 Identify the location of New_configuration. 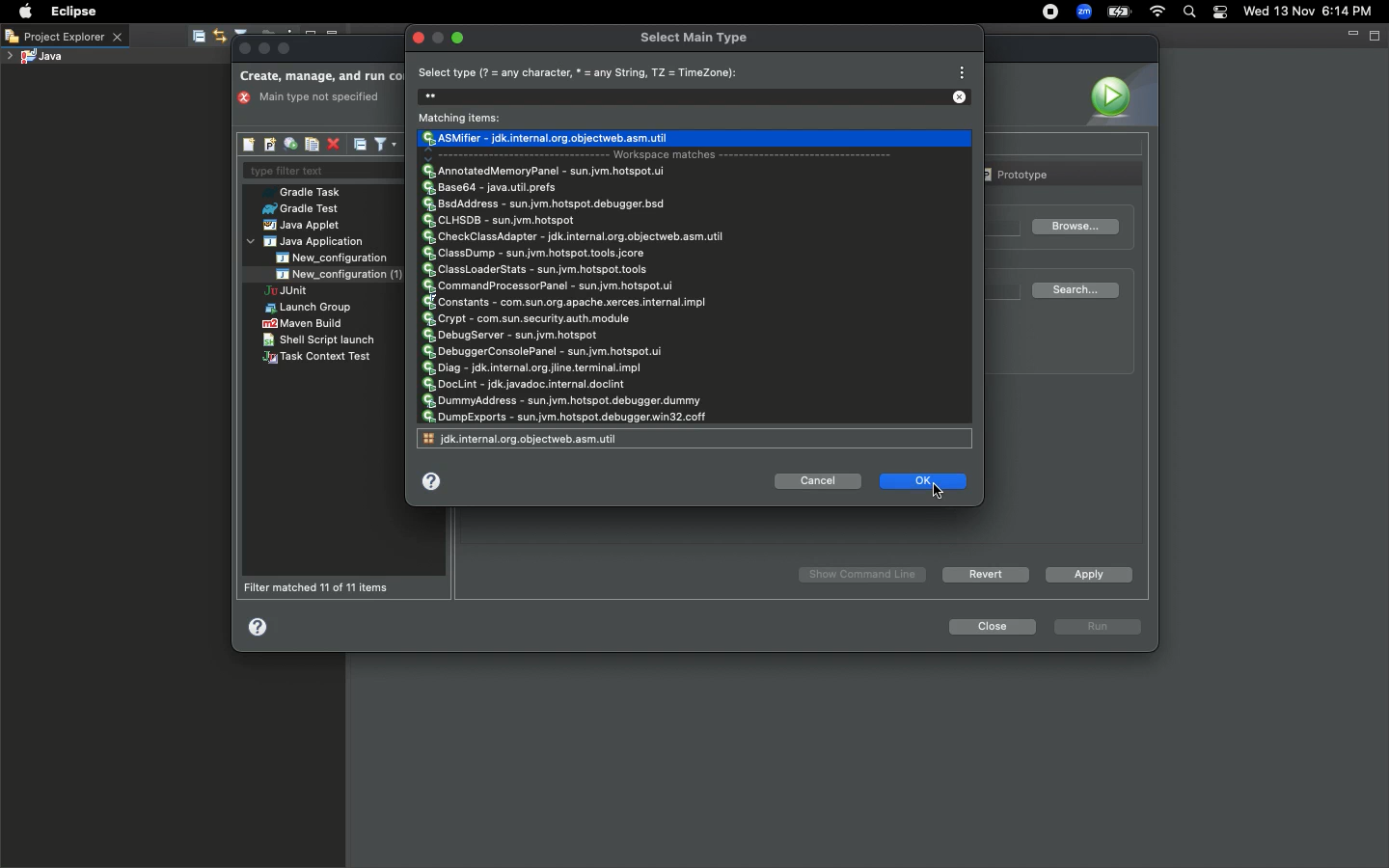
(344, 258).